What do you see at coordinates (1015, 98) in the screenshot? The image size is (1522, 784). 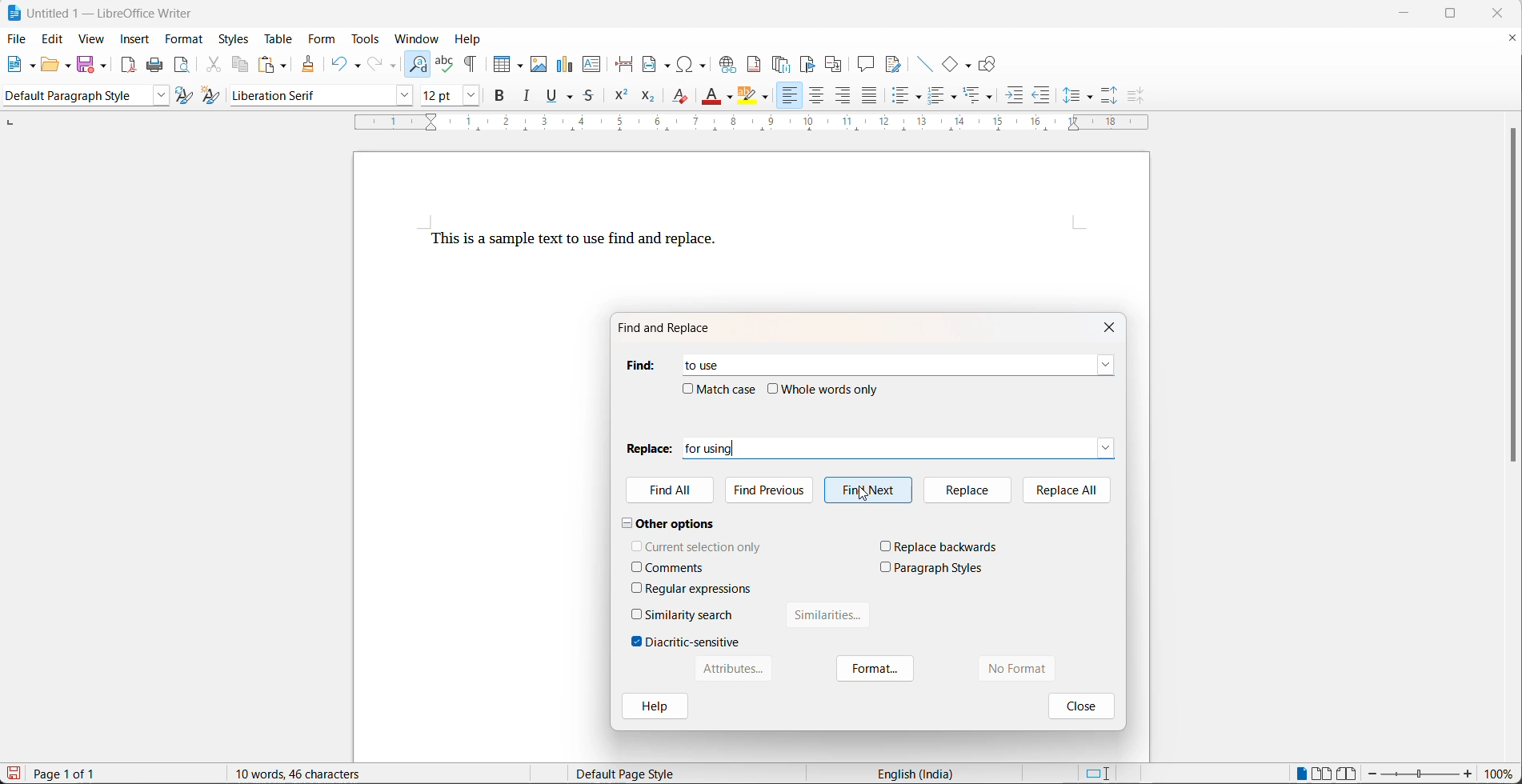 I see `increase indent` at bounding box center [1015, 98].